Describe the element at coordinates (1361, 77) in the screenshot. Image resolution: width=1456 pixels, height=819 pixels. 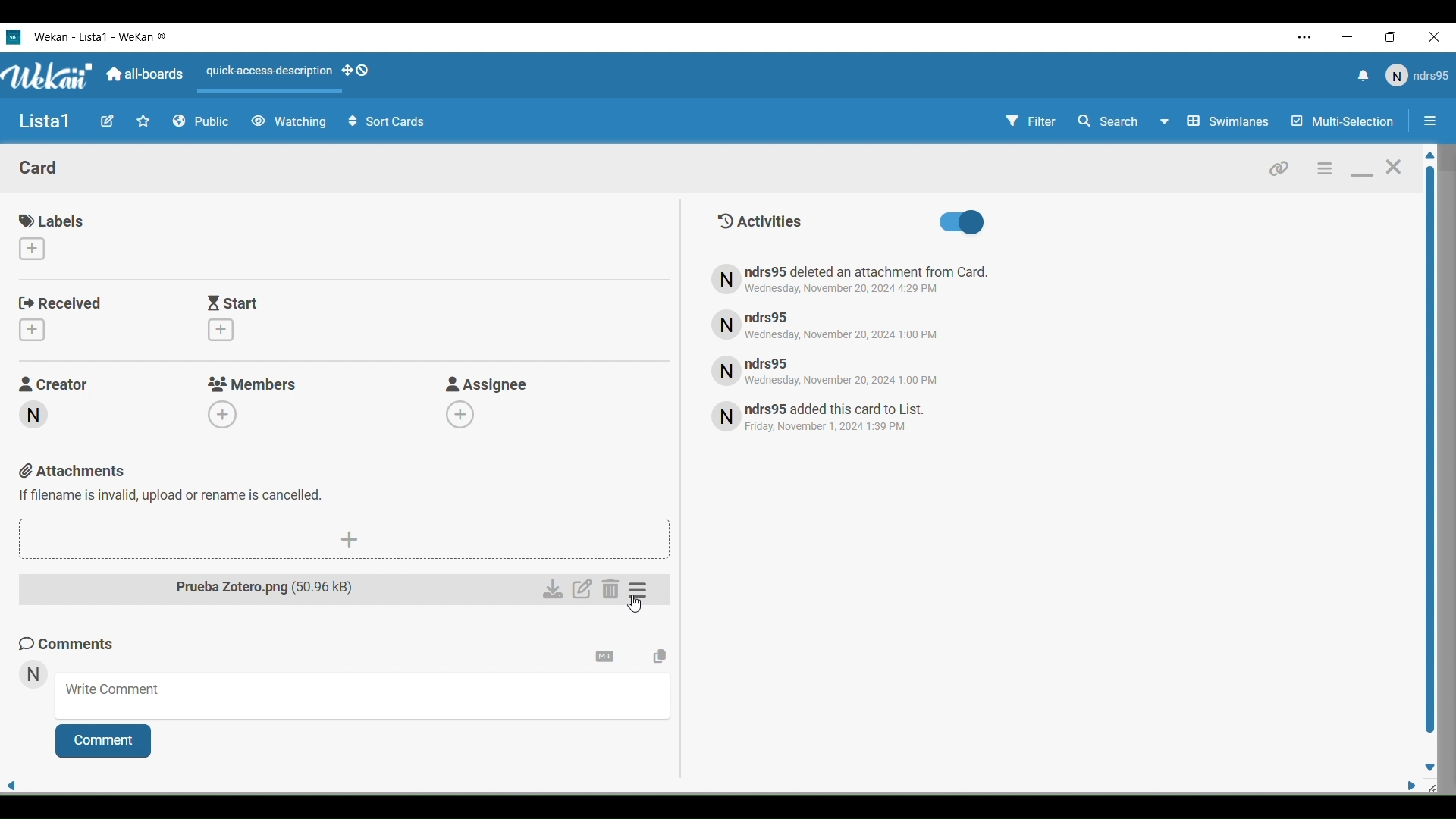
I see `Notifications` at that location.